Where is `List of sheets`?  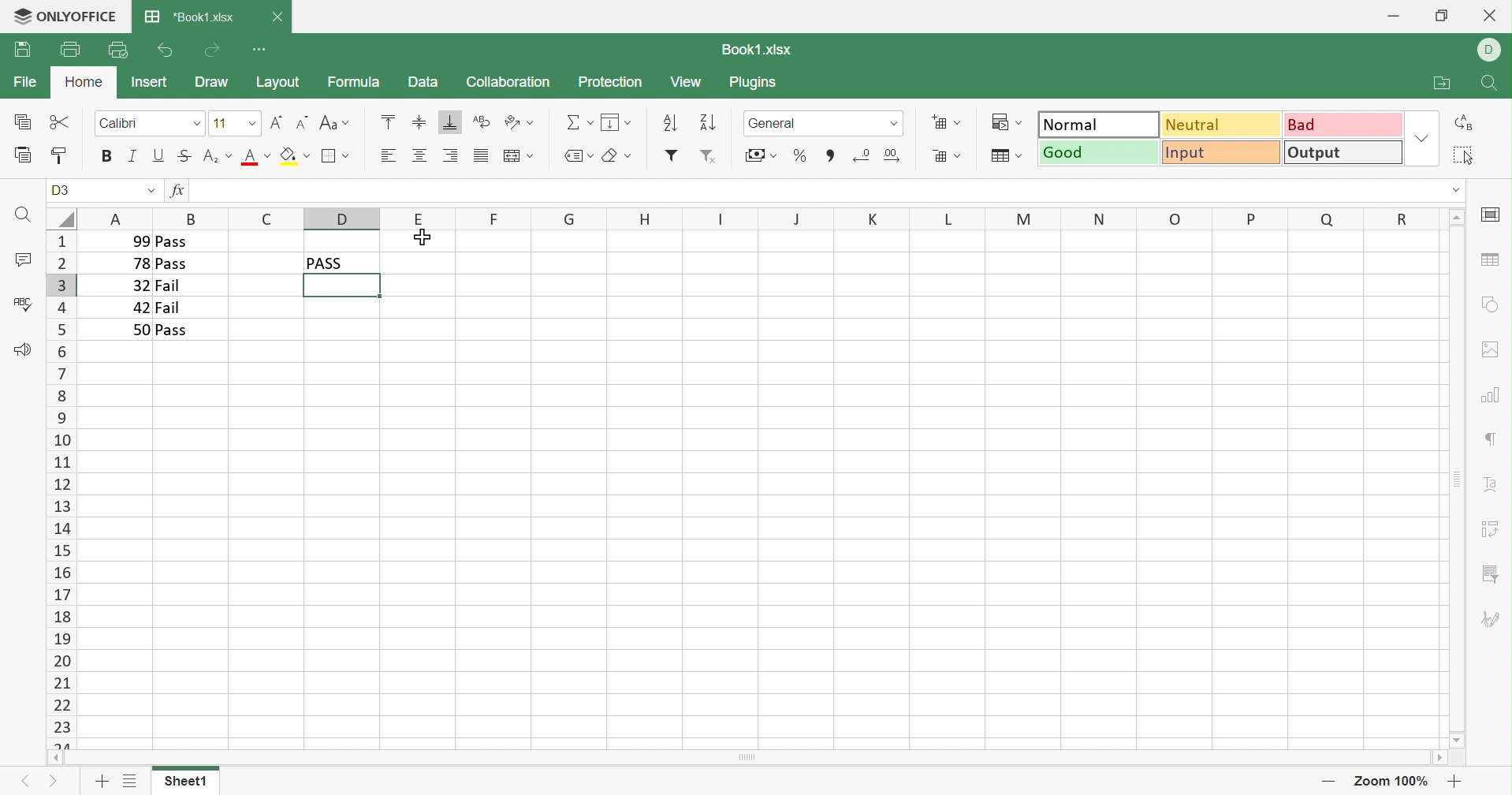
List of sheets is located at coordinates (128, 782).